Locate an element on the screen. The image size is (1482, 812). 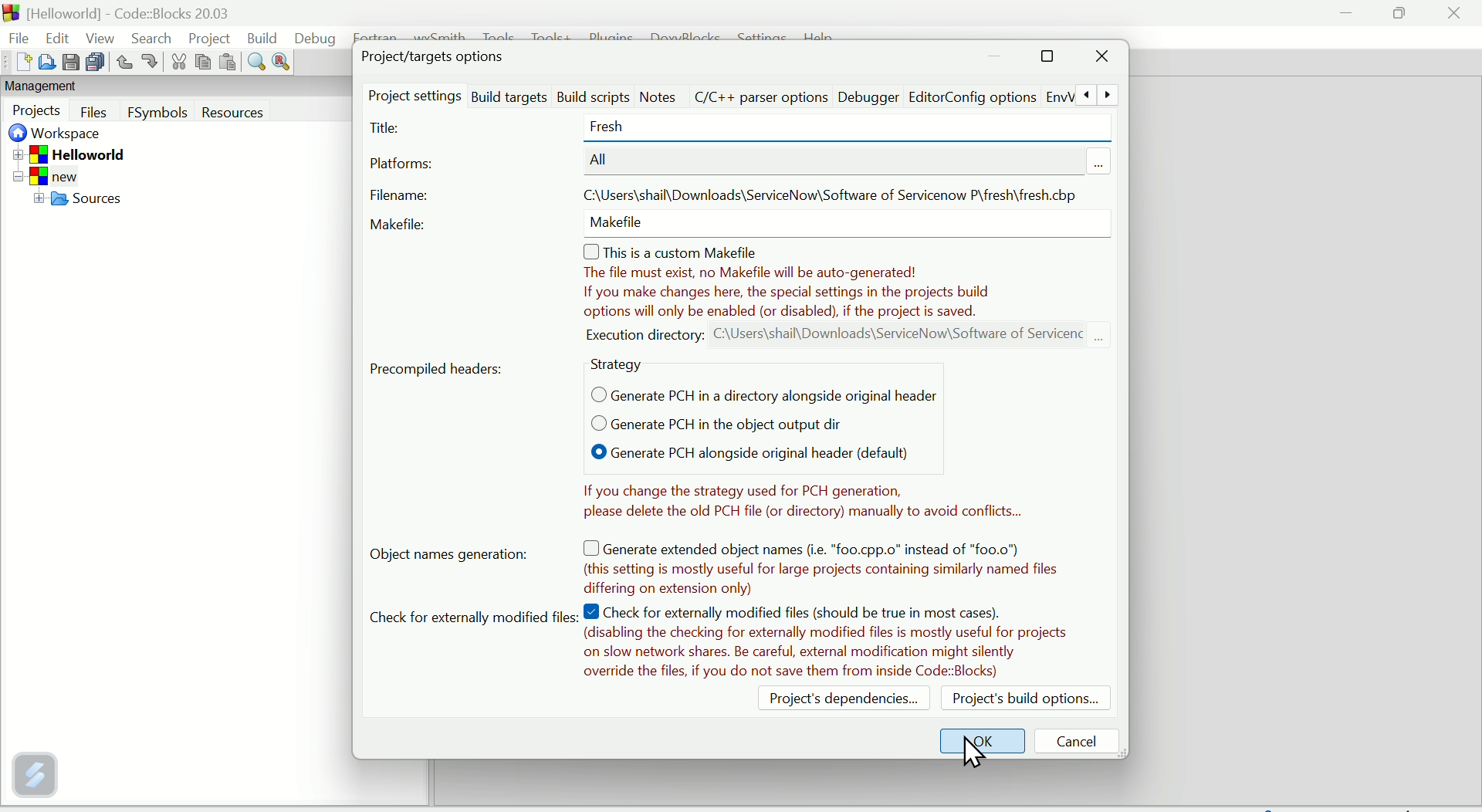
Next is located at coordinates (1108, 95).